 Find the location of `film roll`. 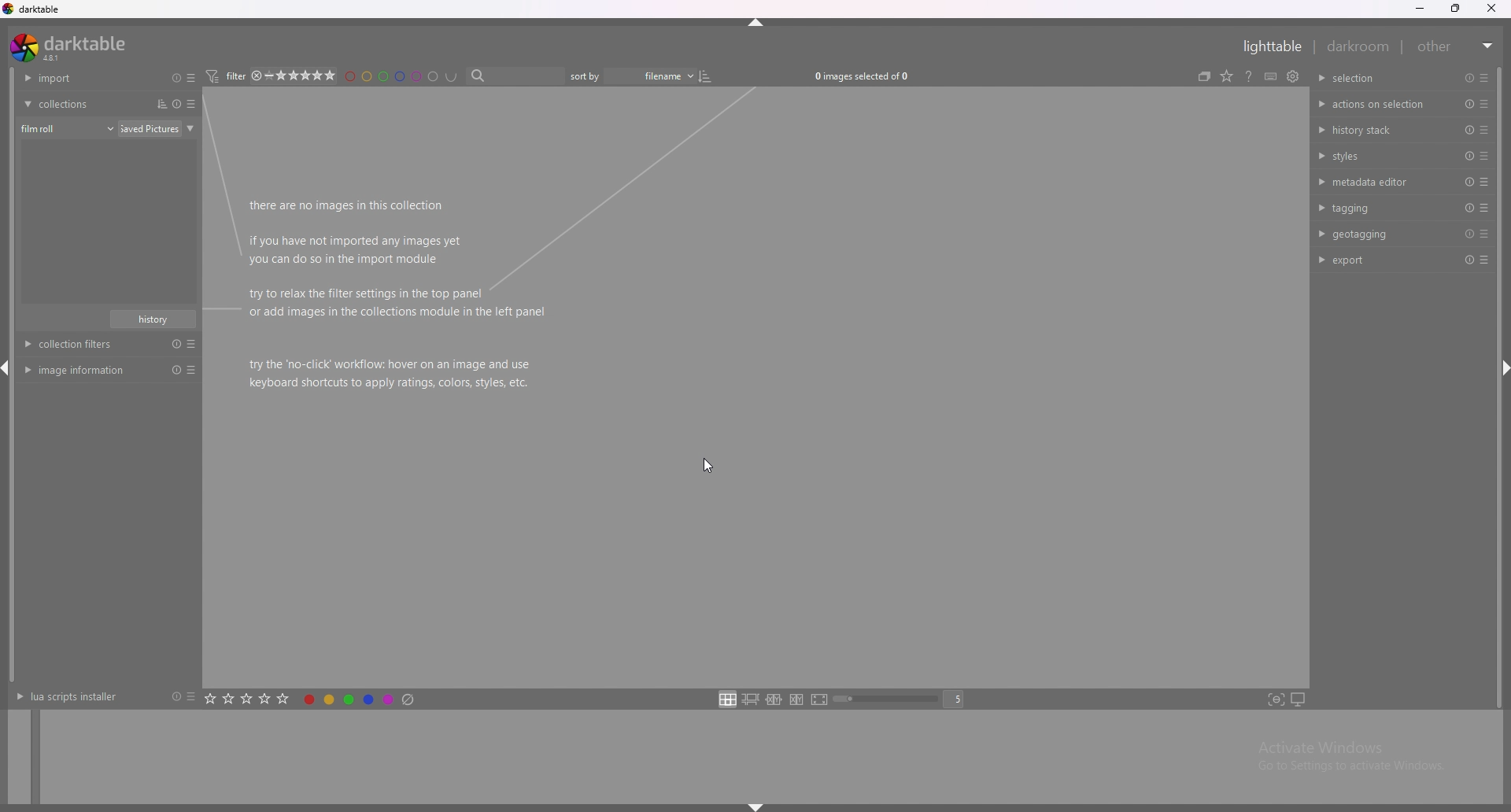

film roll is located at coordinates (68, 128).